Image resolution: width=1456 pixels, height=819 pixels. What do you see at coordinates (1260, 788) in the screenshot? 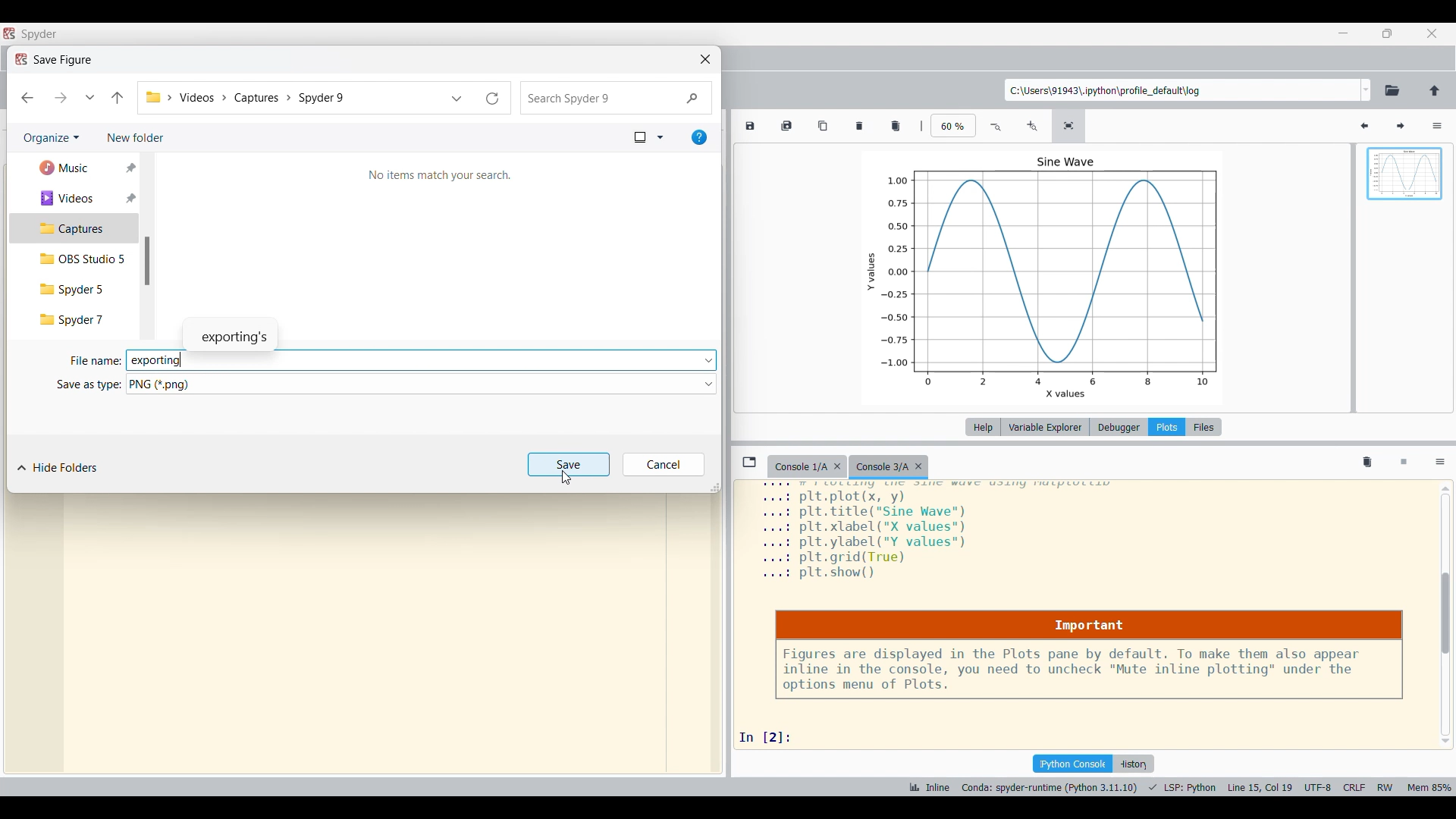
I see `CURSOR POSITION` at bounding box center [1260, 788].